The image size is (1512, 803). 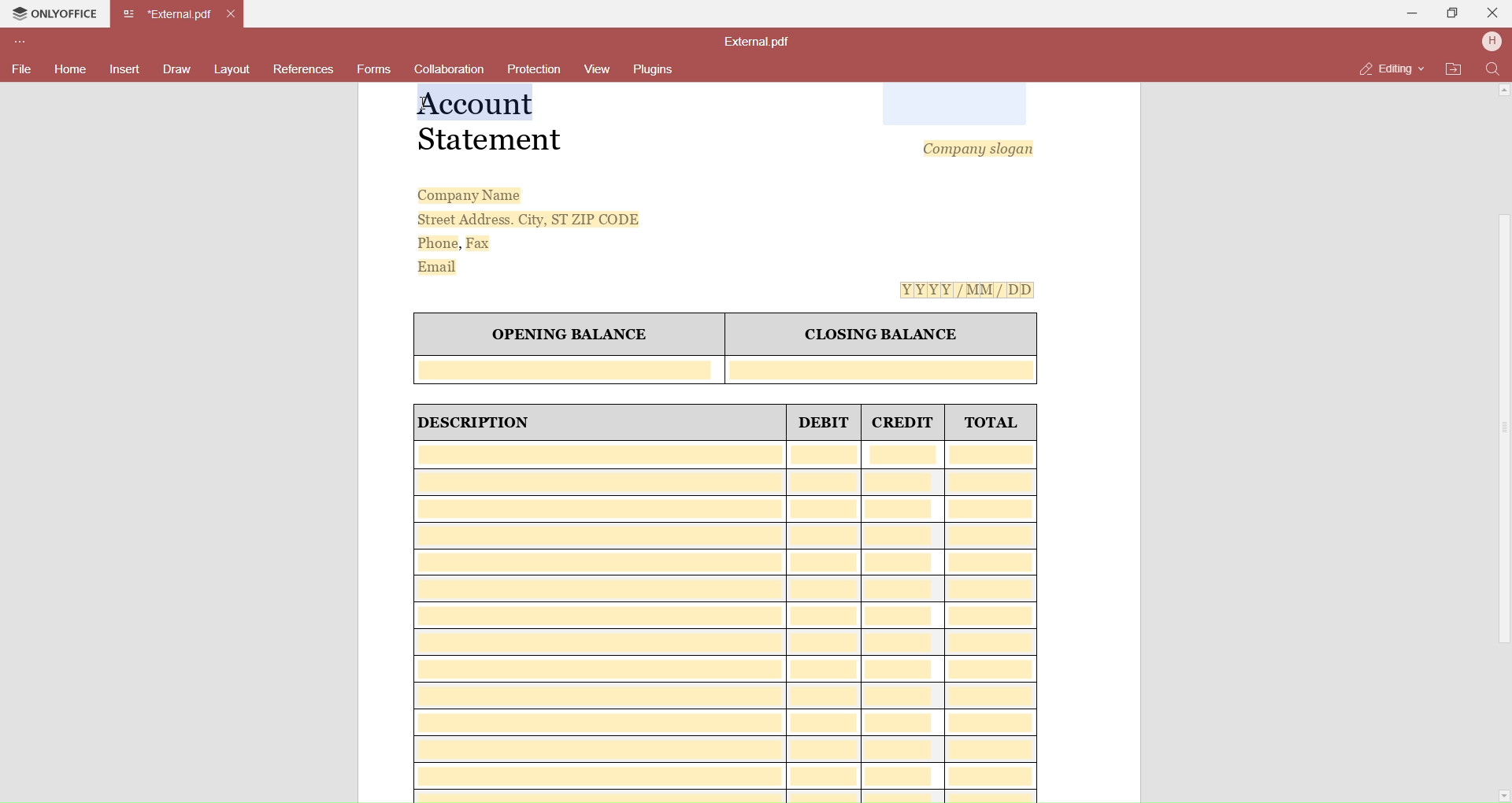 What do you see at coordinates (759, 42) in the screenshot?
I see `File name` at bounding box center [759, 42].